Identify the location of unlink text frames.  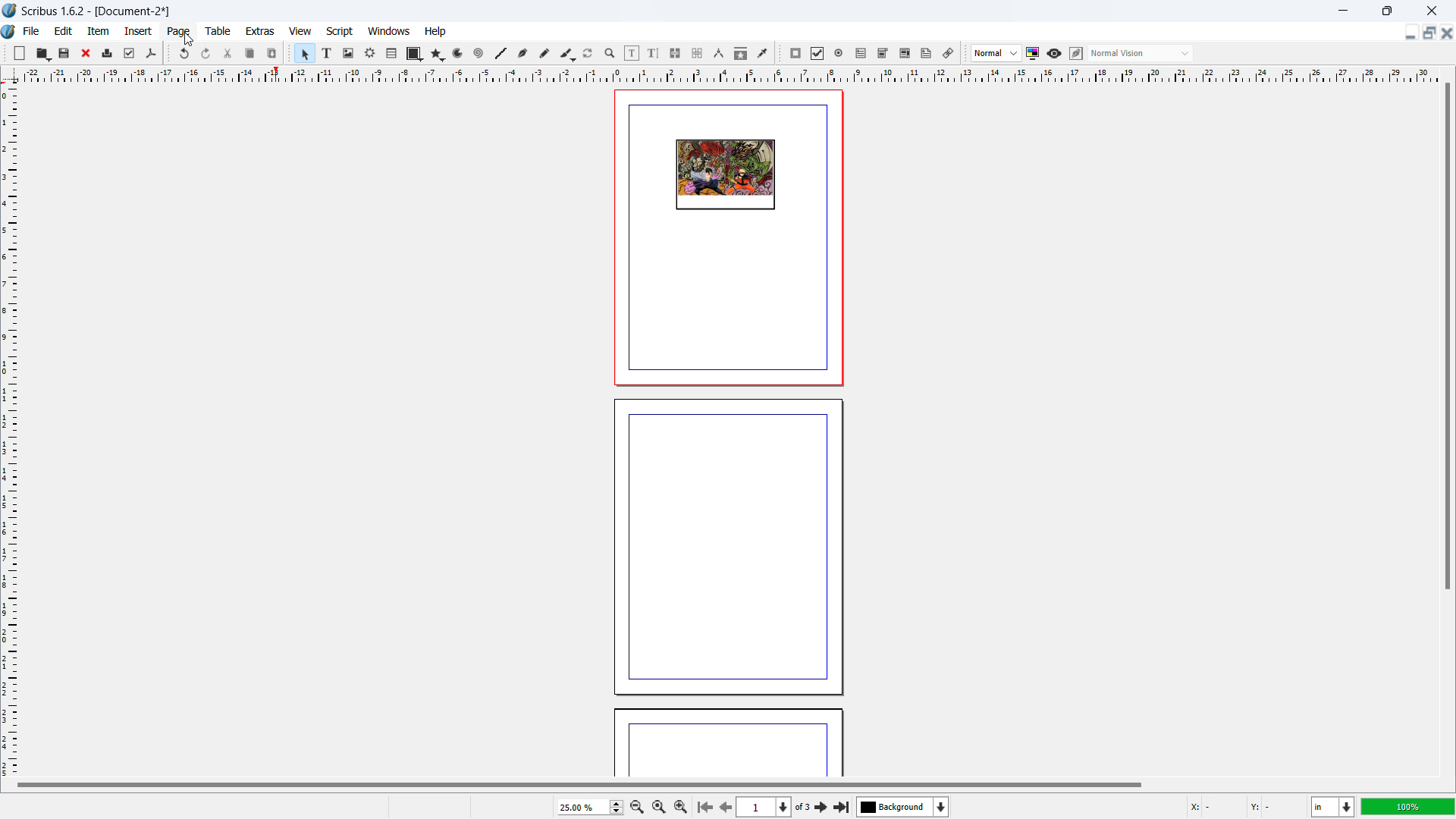
(697, 54).